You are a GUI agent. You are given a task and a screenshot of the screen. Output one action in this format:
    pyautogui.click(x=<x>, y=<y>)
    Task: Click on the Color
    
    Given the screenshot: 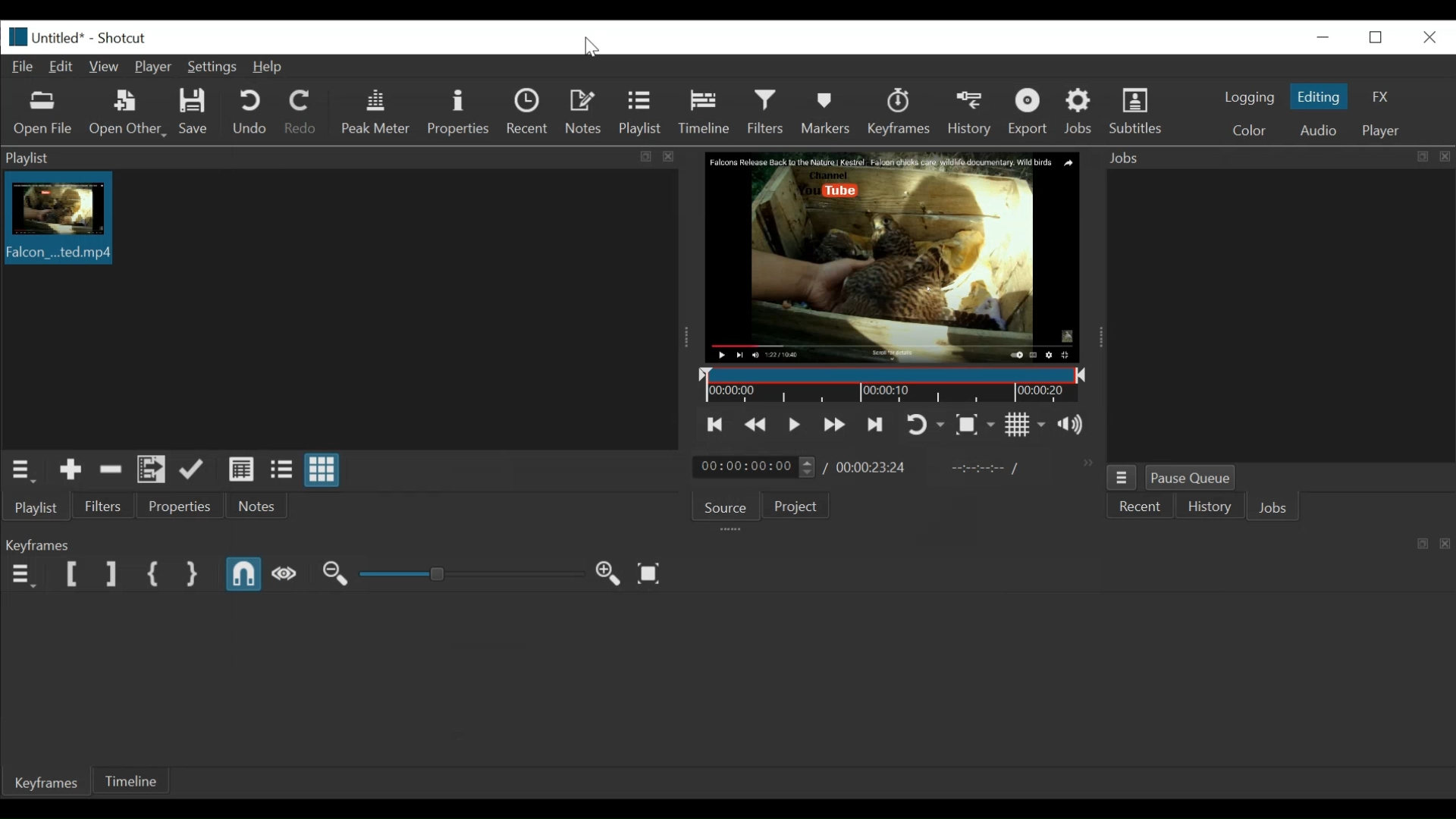 What is the action you would take?
    pyautogui.click(x=1246, y=130)
    